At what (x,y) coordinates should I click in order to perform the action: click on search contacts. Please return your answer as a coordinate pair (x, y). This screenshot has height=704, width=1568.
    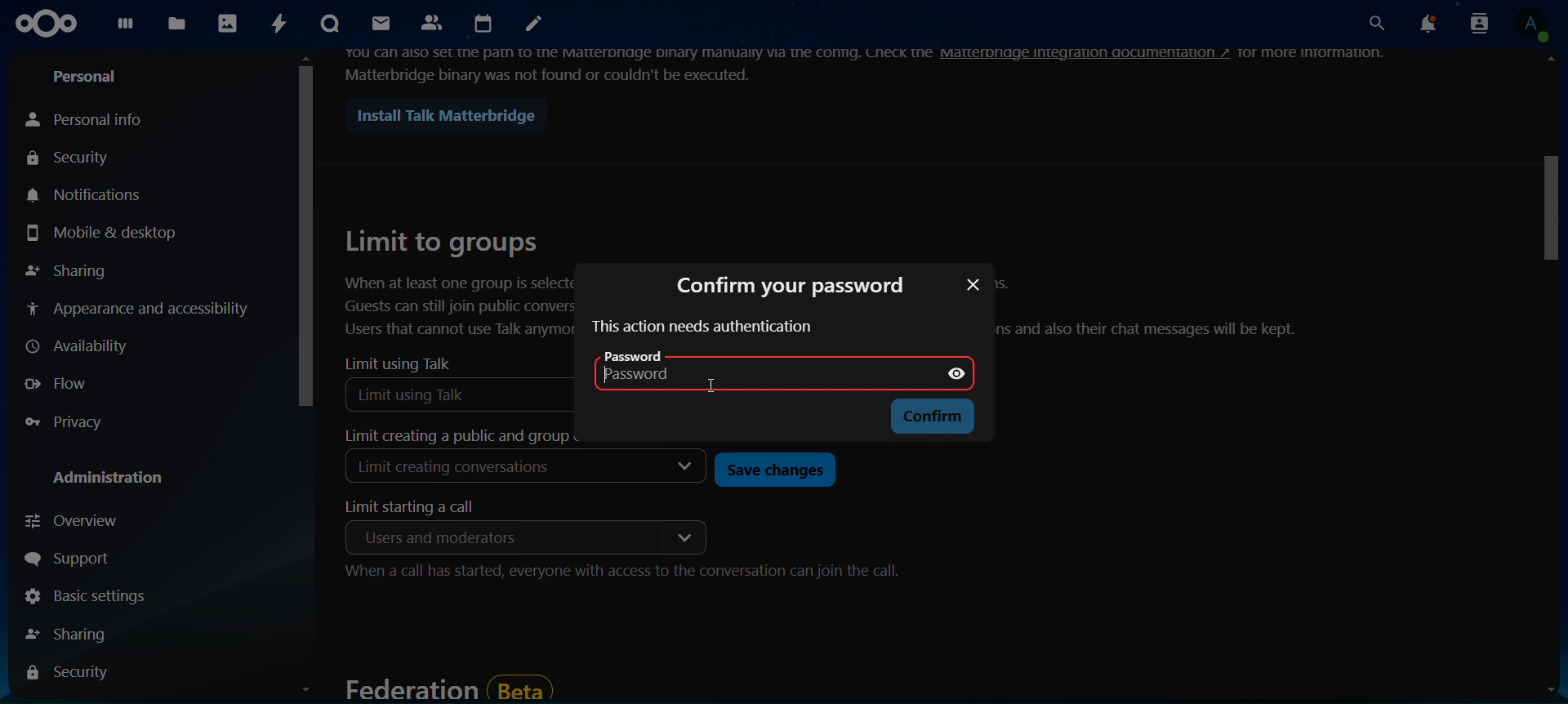
    Looking at the image, I should click on (1474, 23).